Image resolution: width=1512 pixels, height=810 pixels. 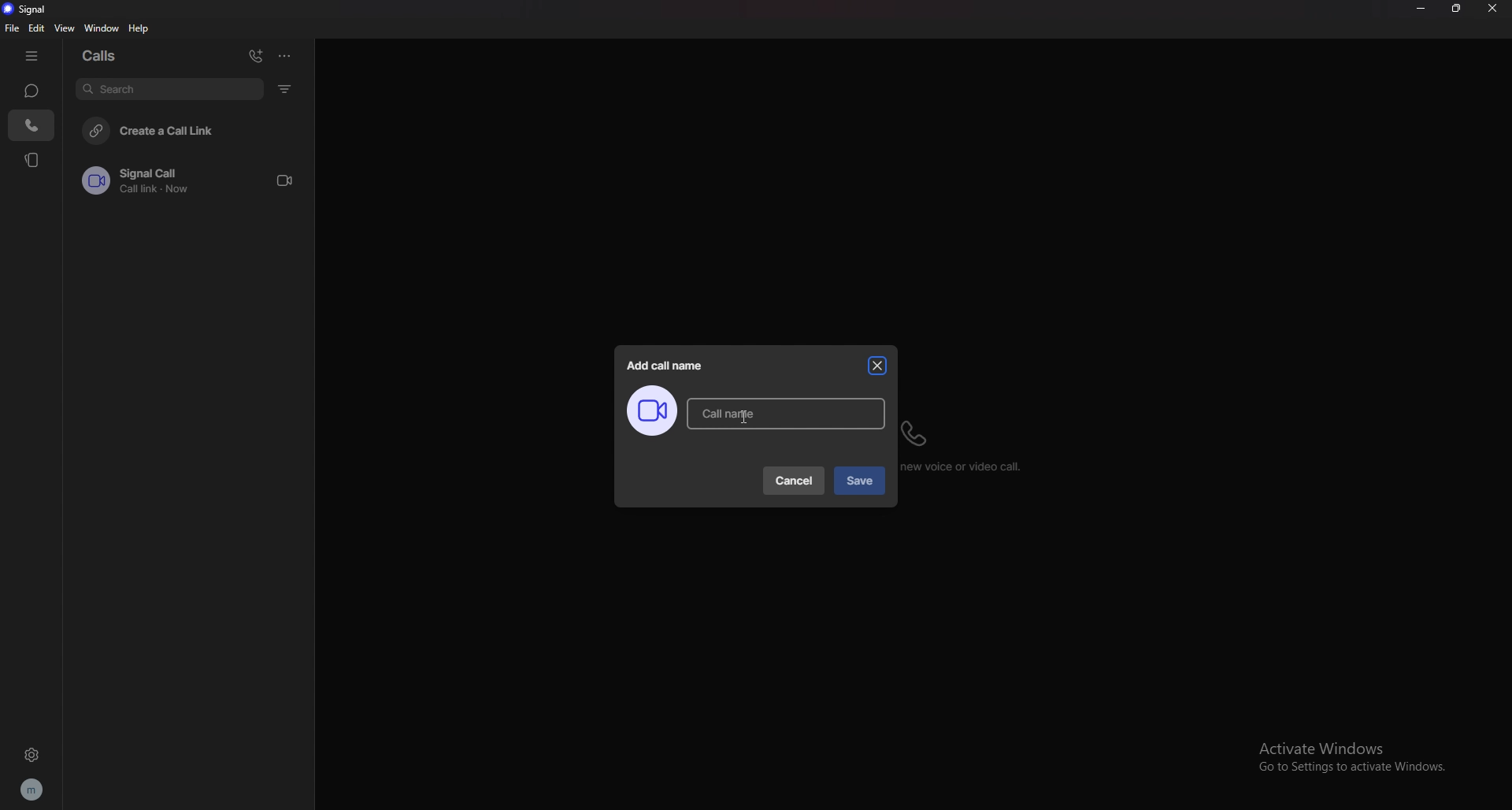 What do you see at coordinates (284, 55) in the screenshot?
I see `options` at bounding box center [284, 55].